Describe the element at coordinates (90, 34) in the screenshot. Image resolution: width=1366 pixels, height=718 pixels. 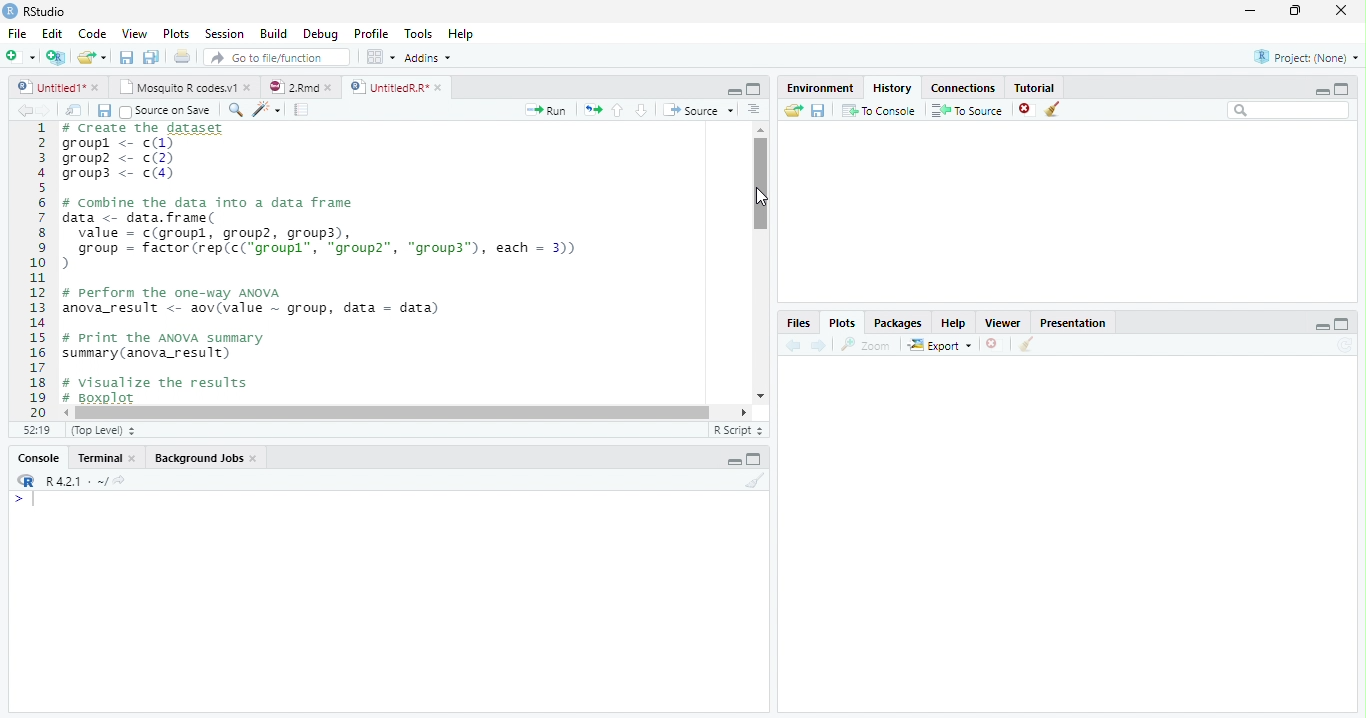
I see `Code` at that location.